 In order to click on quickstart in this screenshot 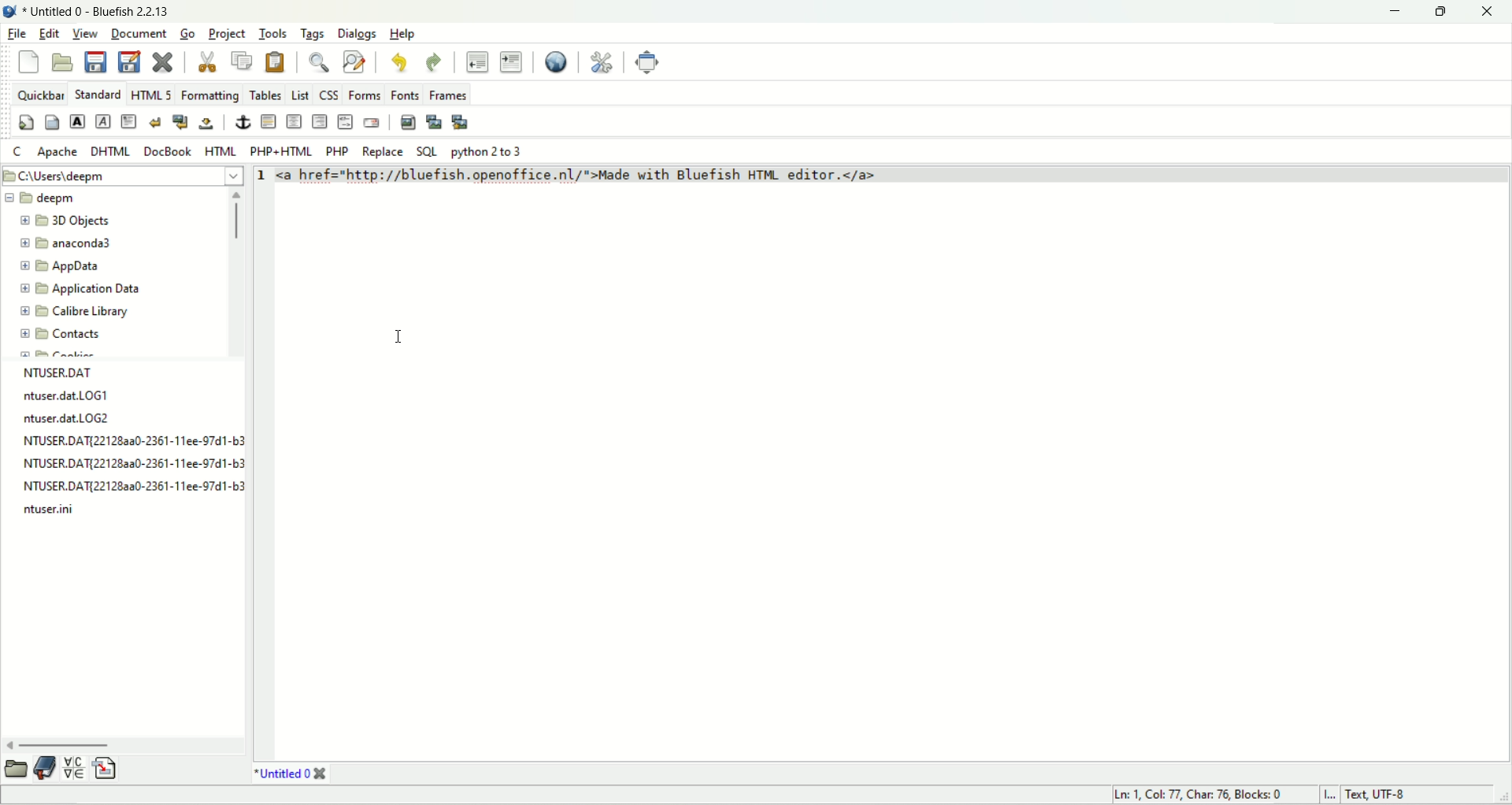, I will do `click(25, 123)`.